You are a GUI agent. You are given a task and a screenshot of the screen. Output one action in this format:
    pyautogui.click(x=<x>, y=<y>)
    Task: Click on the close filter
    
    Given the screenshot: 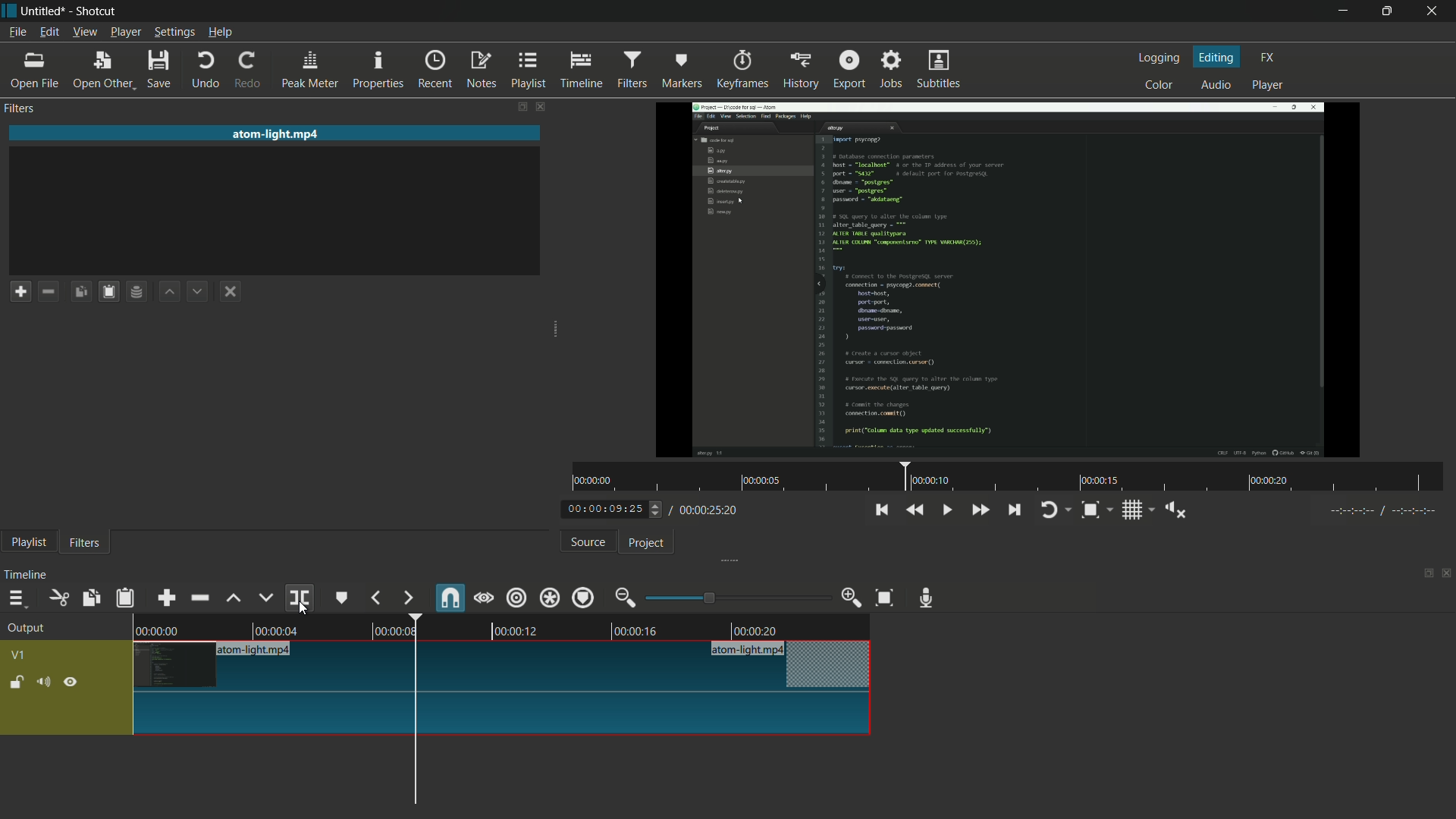 What is the action you would take?
    pyautogui.click(x=539, y=105)
    